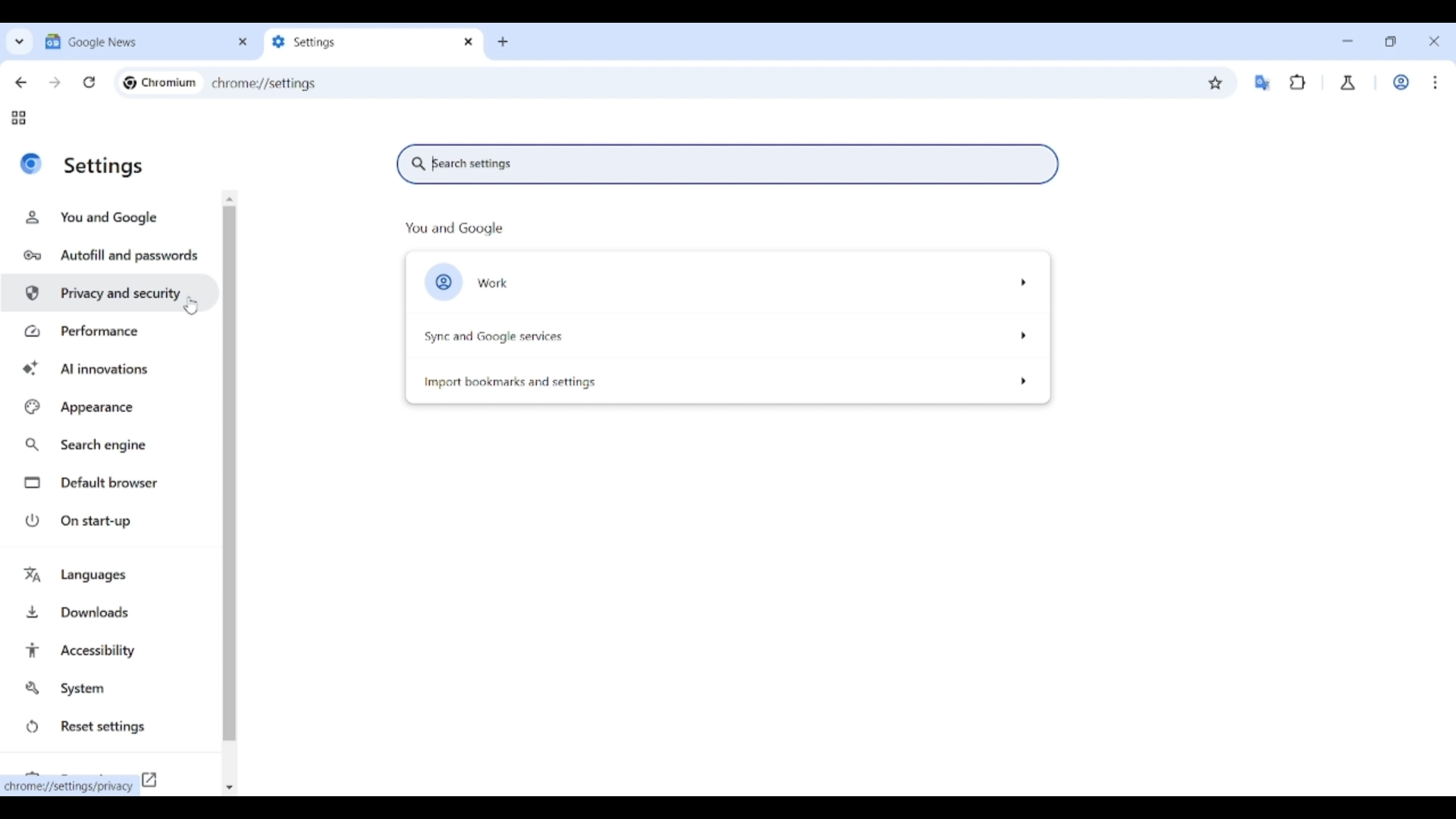  I want to click on Chromium, so click(169, 82).